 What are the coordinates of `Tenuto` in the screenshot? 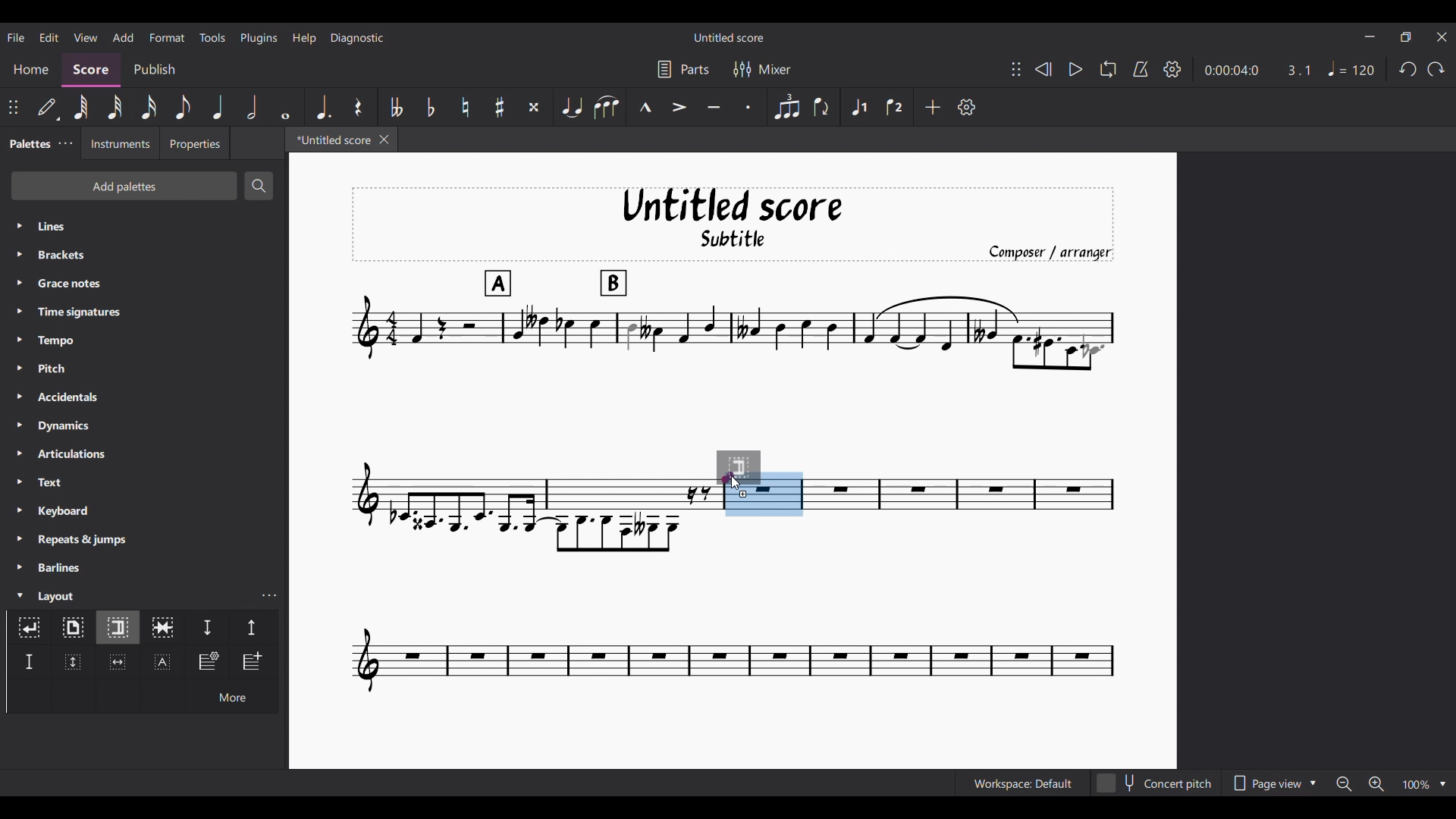 It's located at (714, 108).